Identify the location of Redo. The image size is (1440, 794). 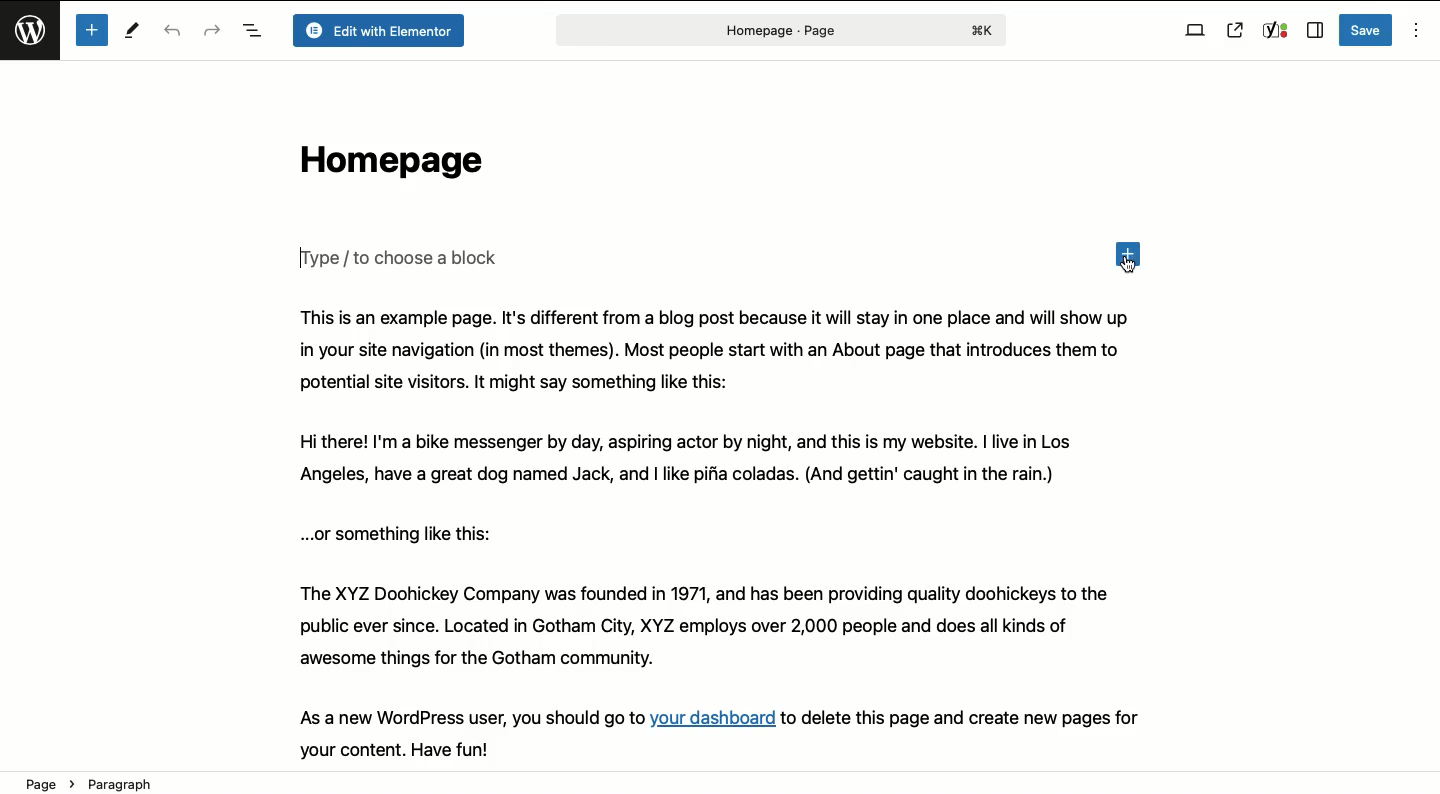
(212, 29).